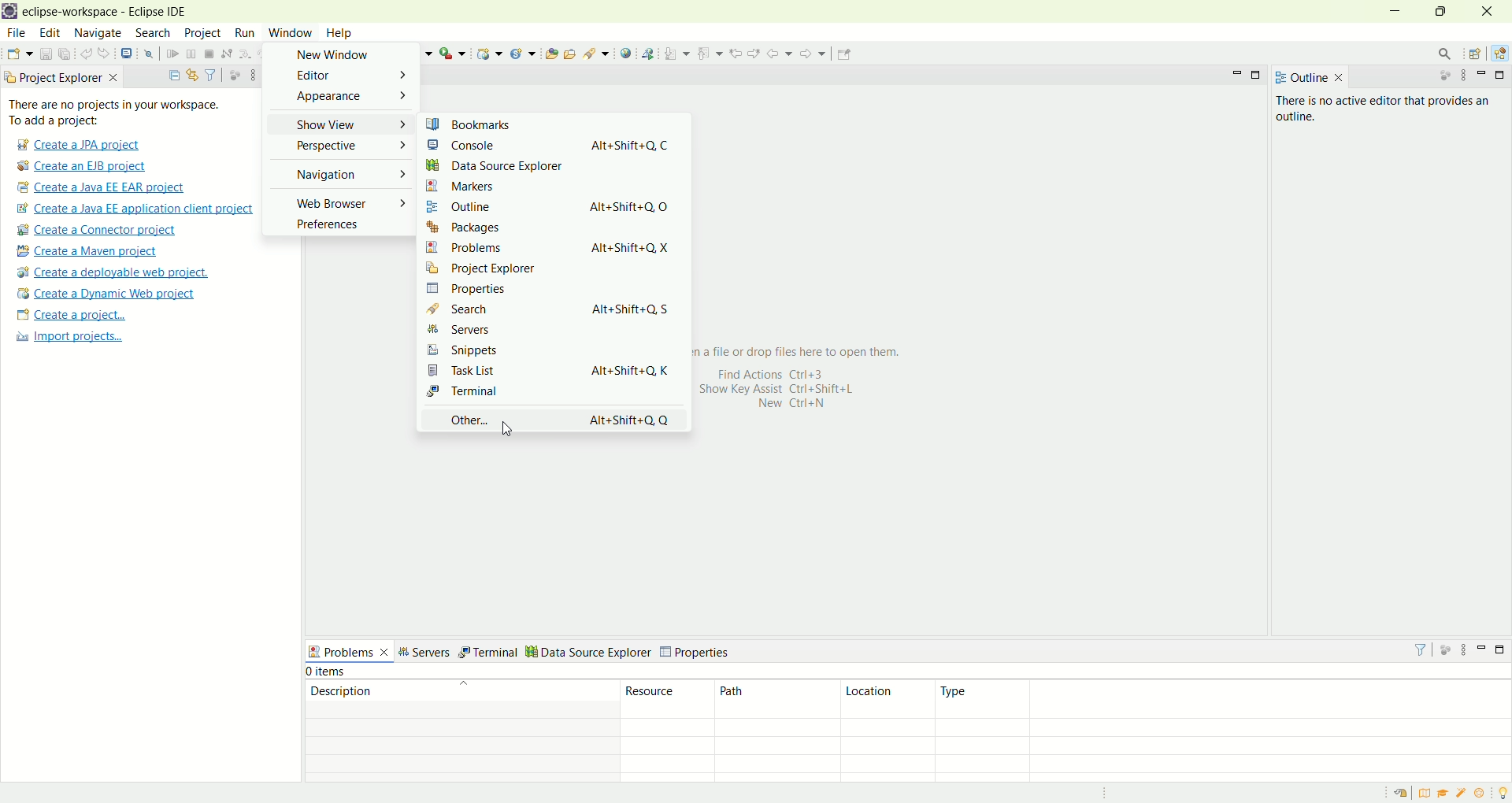 This screenshot has height=803, width=1512. Describe the element at coordinates (98, 231) in the screenshot. I see `create a connector project` at that location.